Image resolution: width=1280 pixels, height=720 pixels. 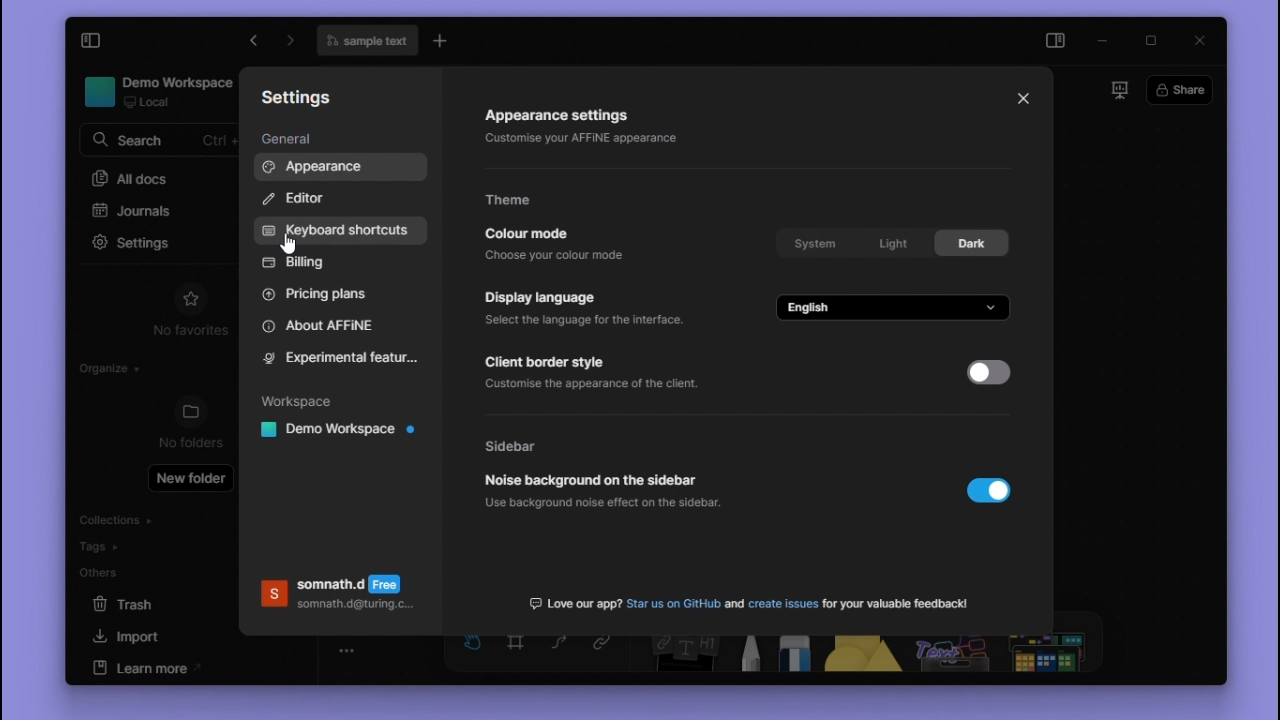 I want to click on Link, so click(x=605, y=654).